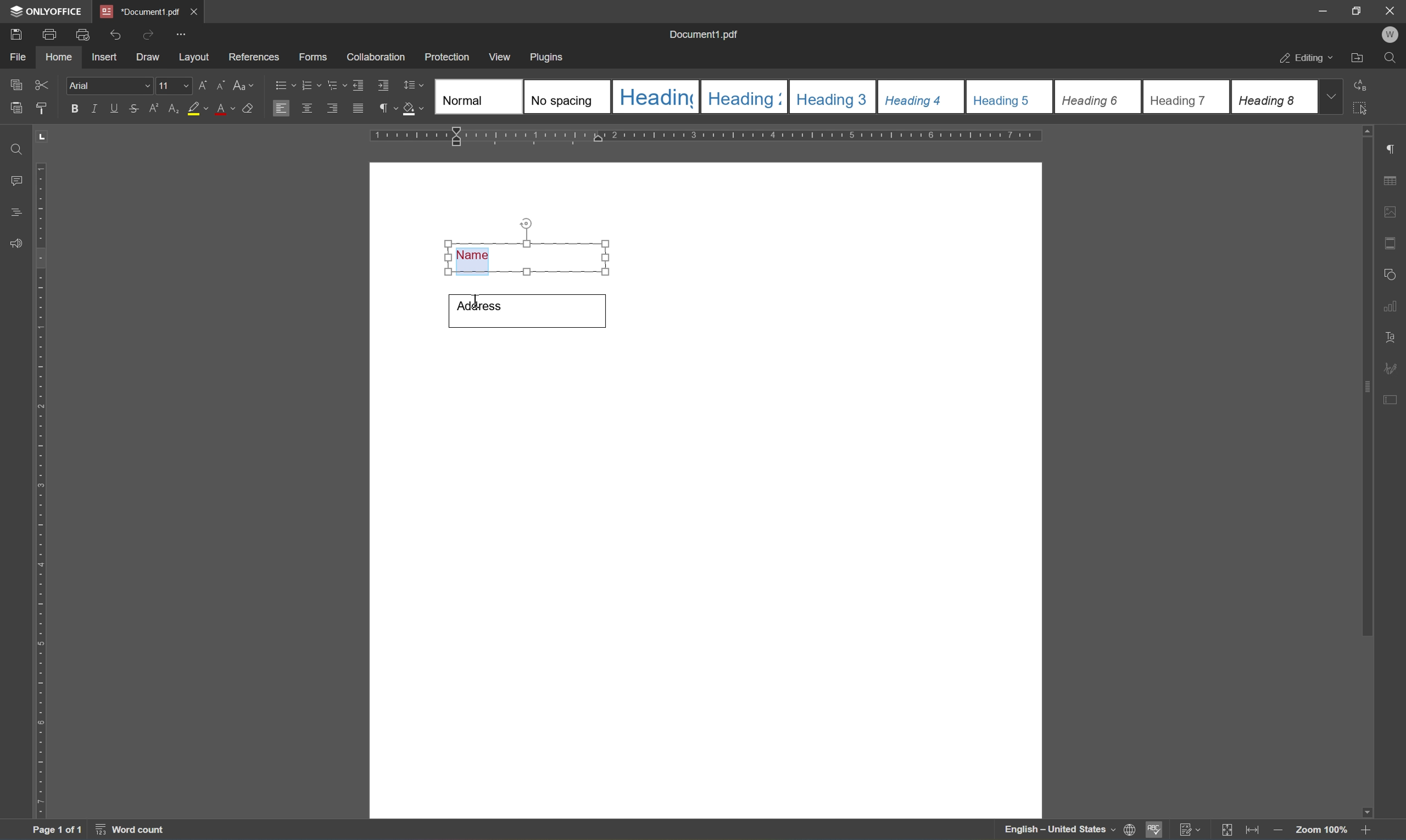 The height and width of the screenshot is (840, 1406). Describe the element at coordinates (12, 147) in the screenshot. I see `find` at that location.